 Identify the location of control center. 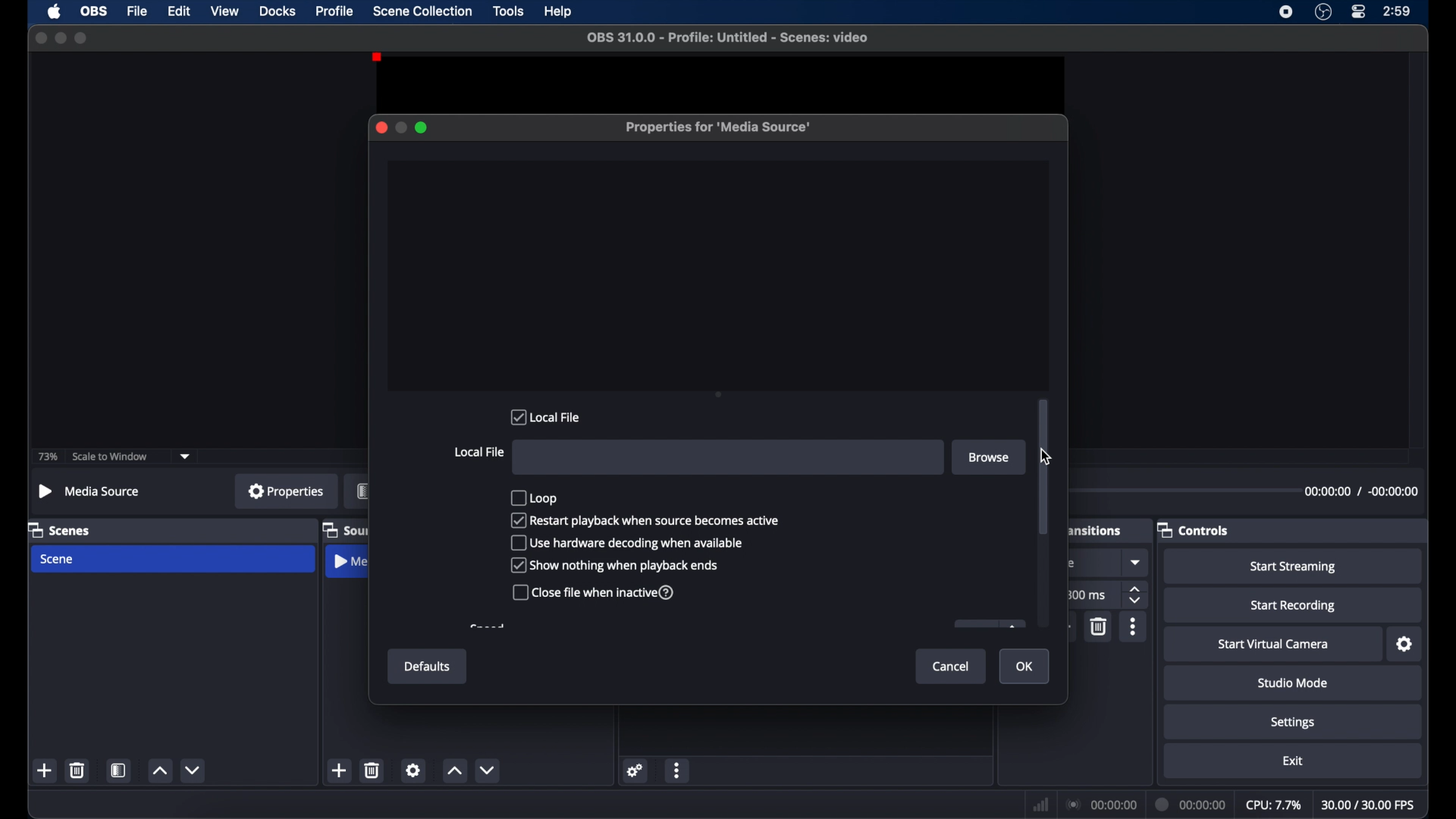
(1357, 12).